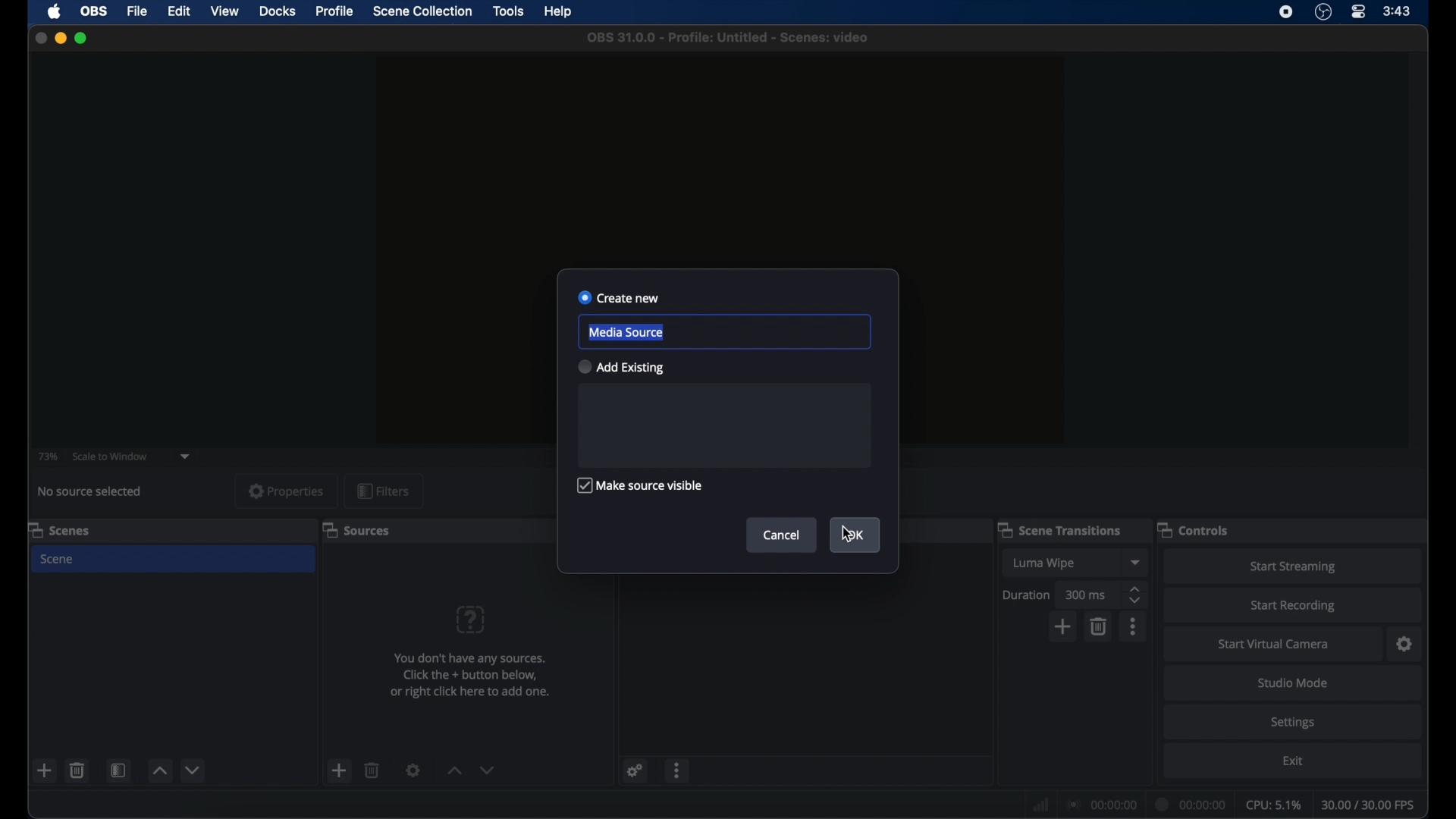  Describe the element at coordinates (678, 770) in the screenshot. I see `more options` at that location.